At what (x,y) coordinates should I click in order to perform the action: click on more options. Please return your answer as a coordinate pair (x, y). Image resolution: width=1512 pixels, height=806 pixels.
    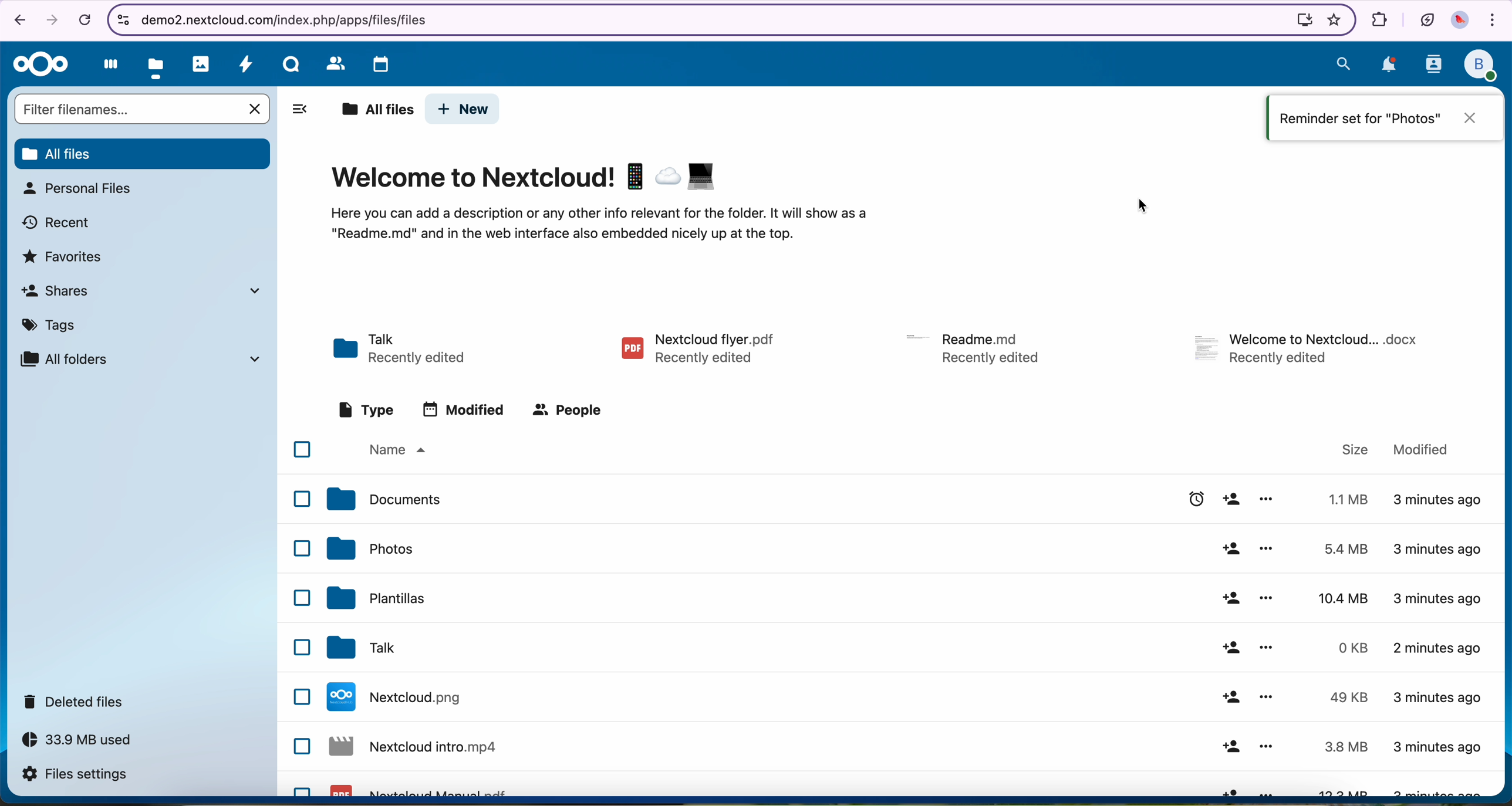
    Looking at the image, I should click on (1265, 648).